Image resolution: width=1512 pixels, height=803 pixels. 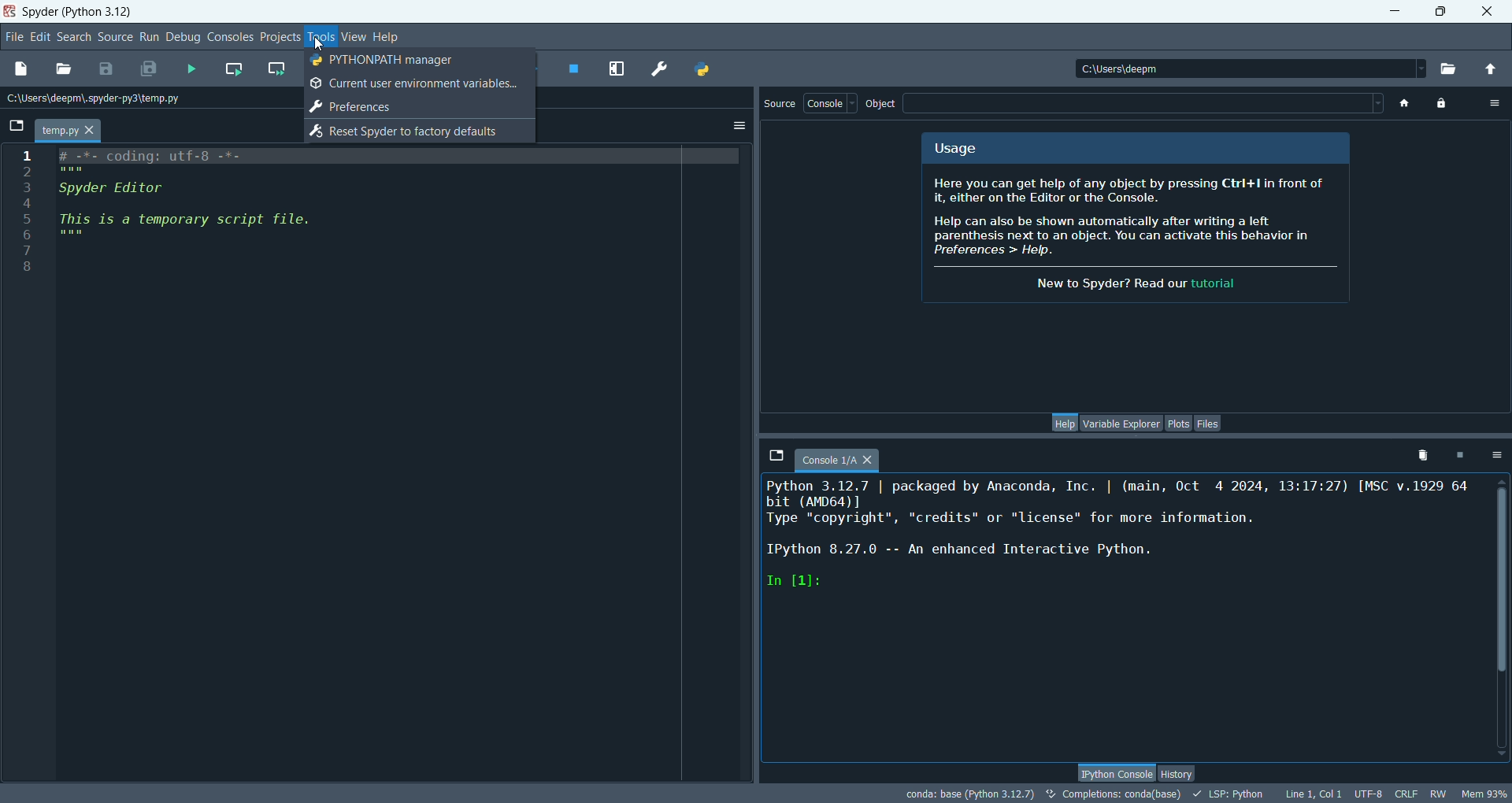 I want to click on plots, so click(x=1180, y=425).